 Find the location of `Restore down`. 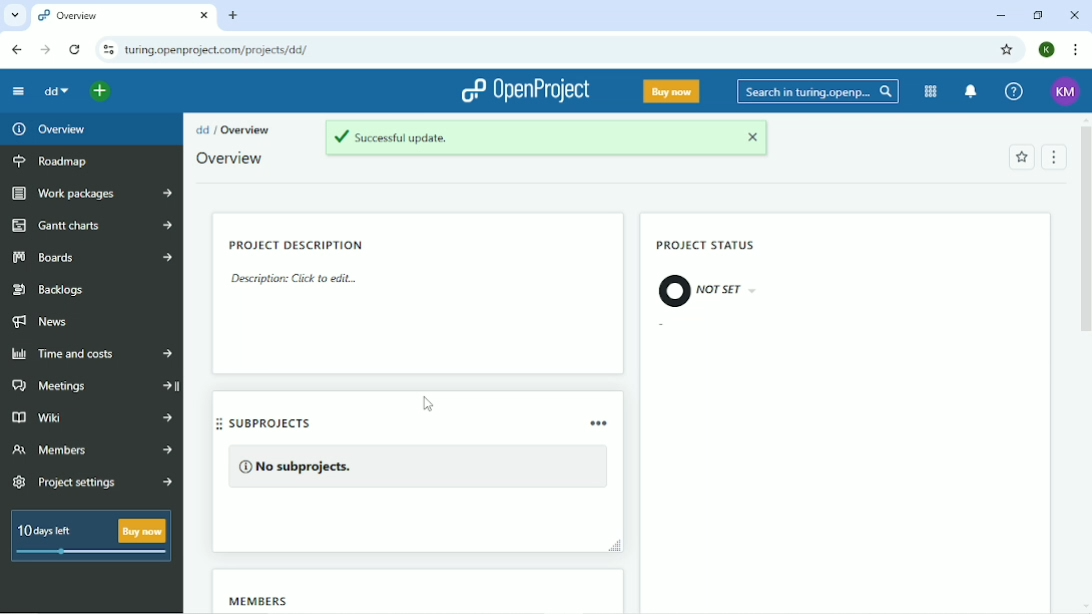

Restore down is located at coordinates (1037, 15).